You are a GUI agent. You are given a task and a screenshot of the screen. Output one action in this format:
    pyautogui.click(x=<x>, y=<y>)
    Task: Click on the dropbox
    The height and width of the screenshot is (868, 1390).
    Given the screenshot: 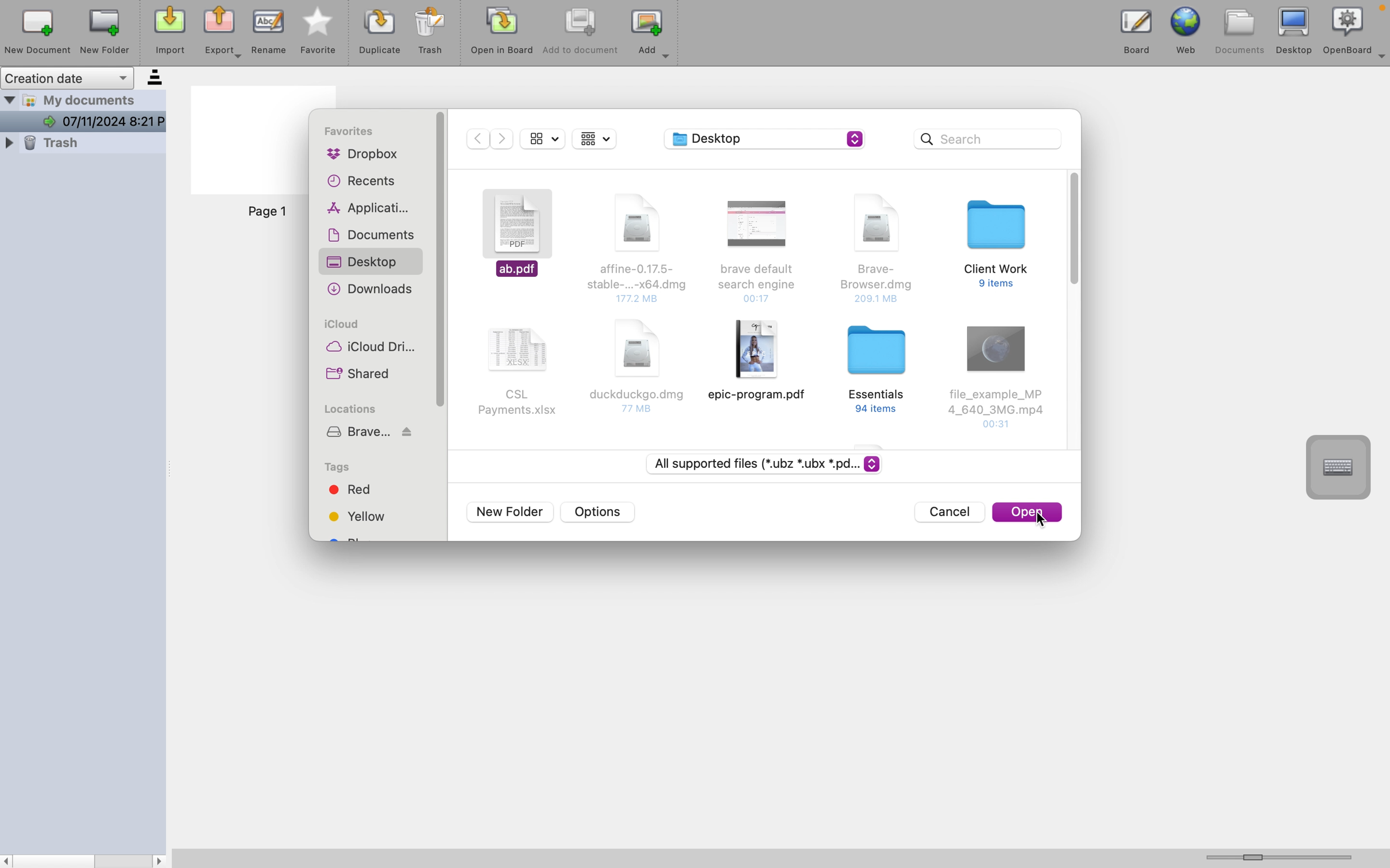 What is the action you would take?
    pyautogui.click(x=362, y=155)
    